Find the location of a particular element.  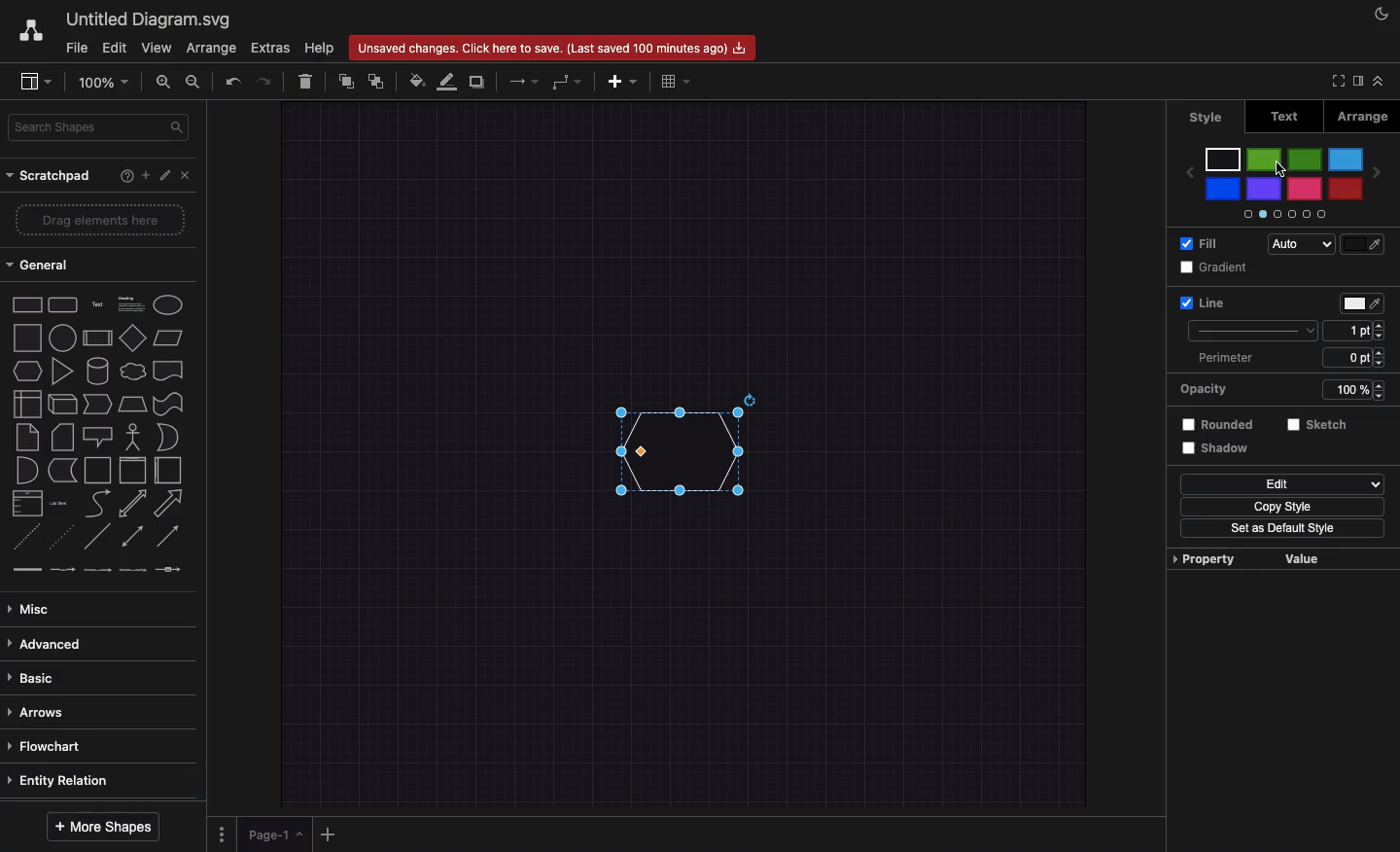

Value is located at coordinates (1303, 559).